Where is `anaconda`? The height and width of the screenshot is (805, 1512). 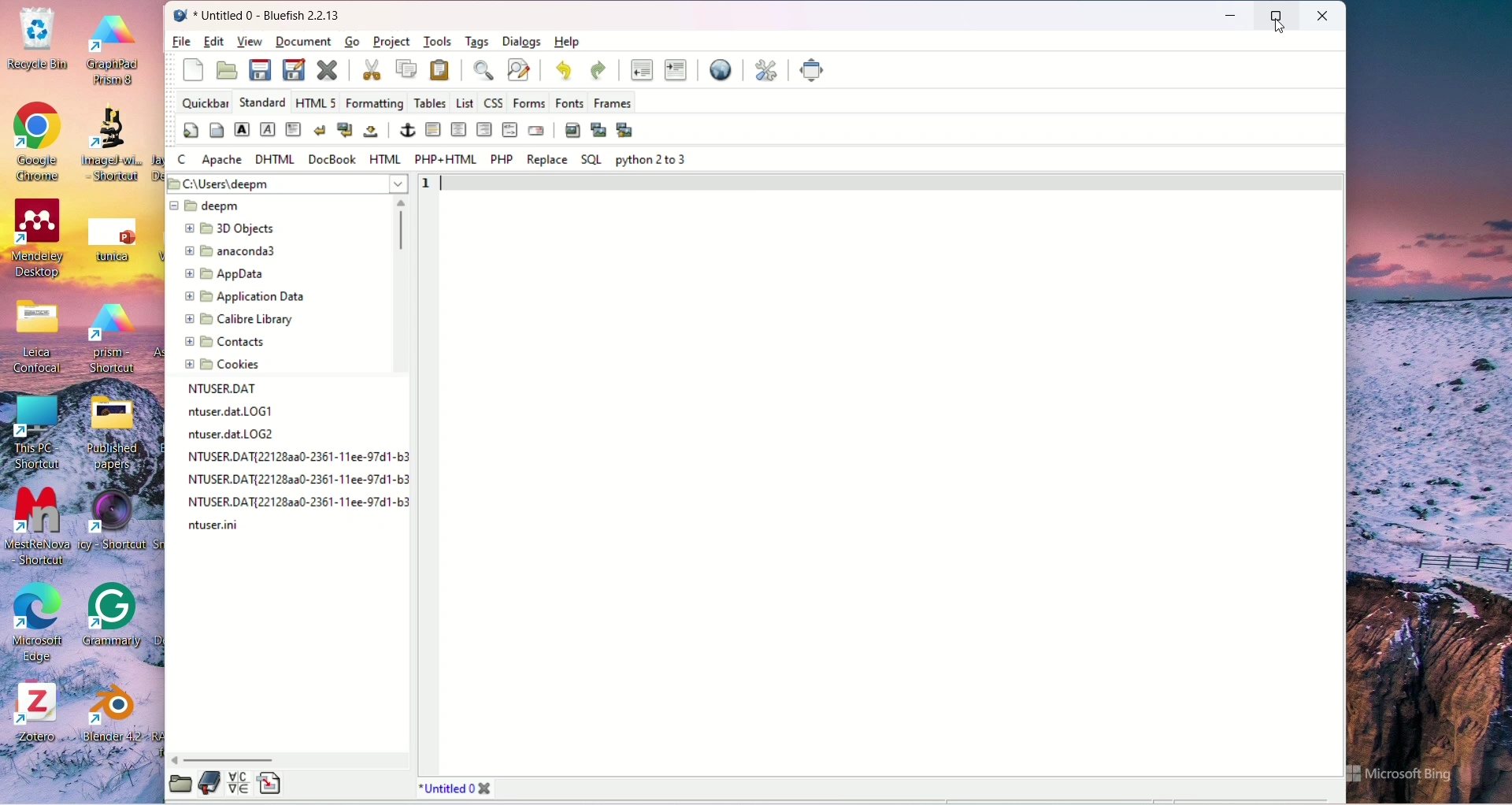 anaconda is located at coordinates (233, 252).